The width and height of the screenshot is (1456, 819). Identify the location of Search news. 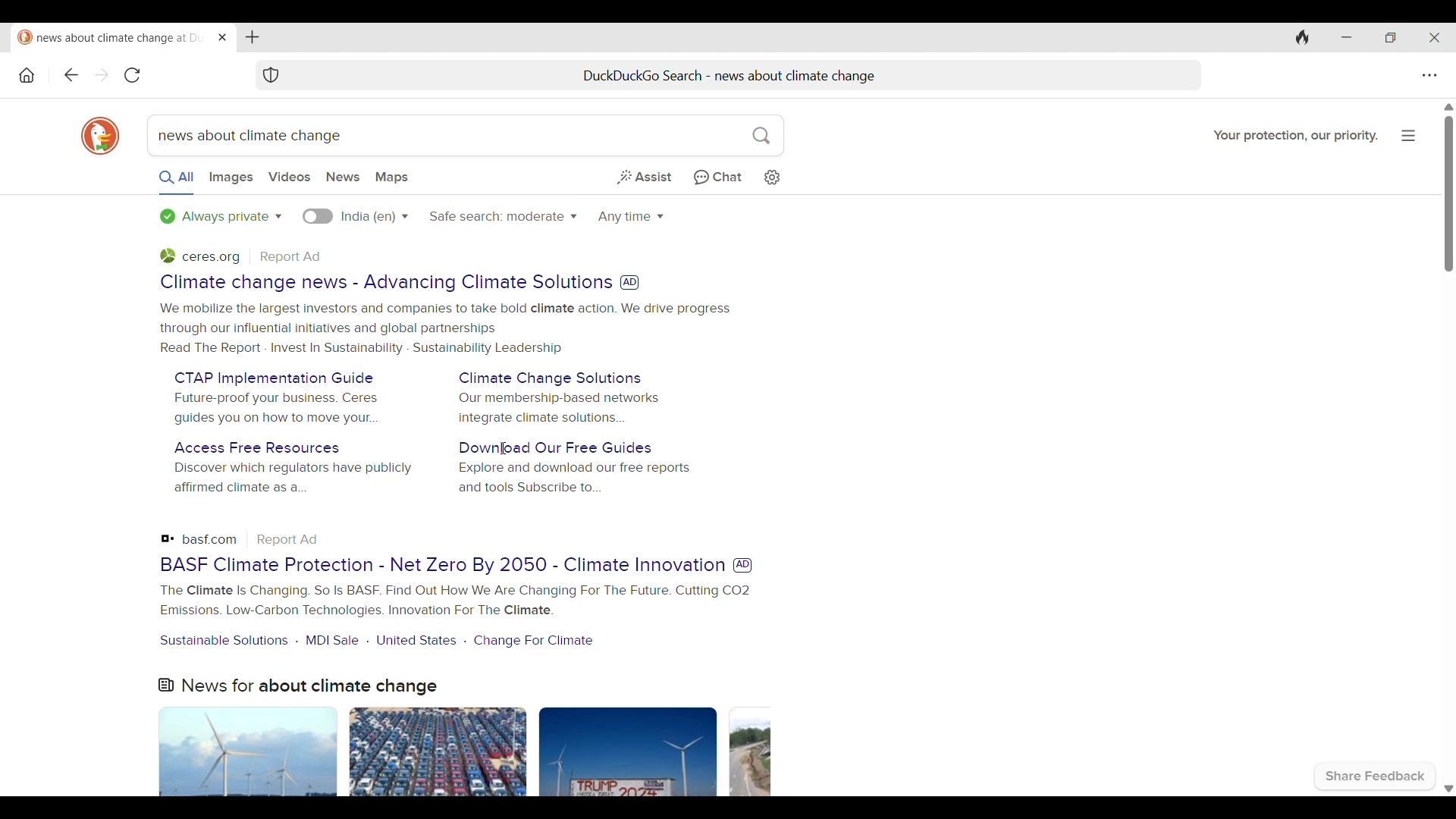
(343, 177).